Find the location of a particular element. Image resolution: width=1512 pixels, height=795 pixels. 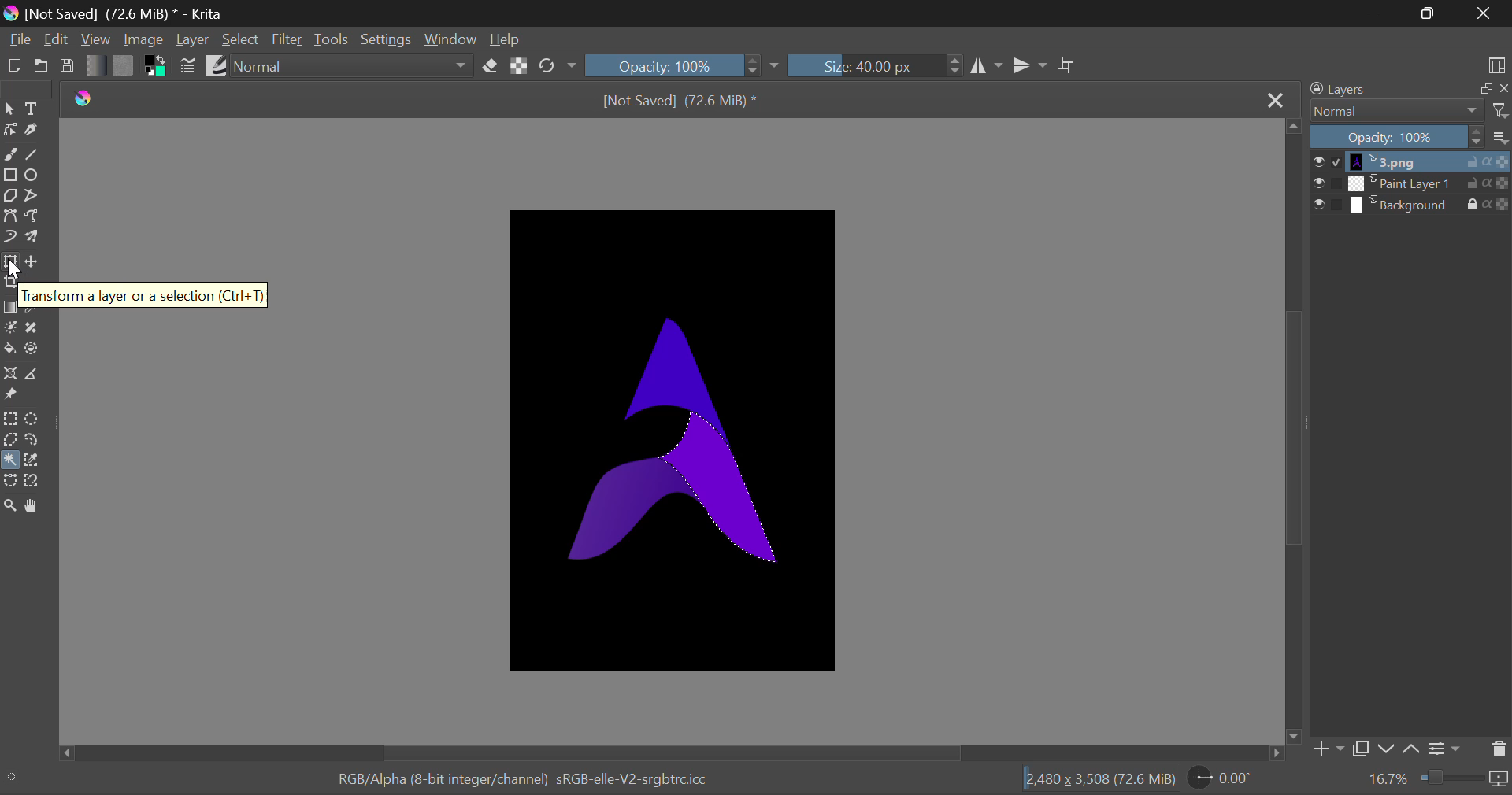

Brush Presets is located at coordinates (216, 65).